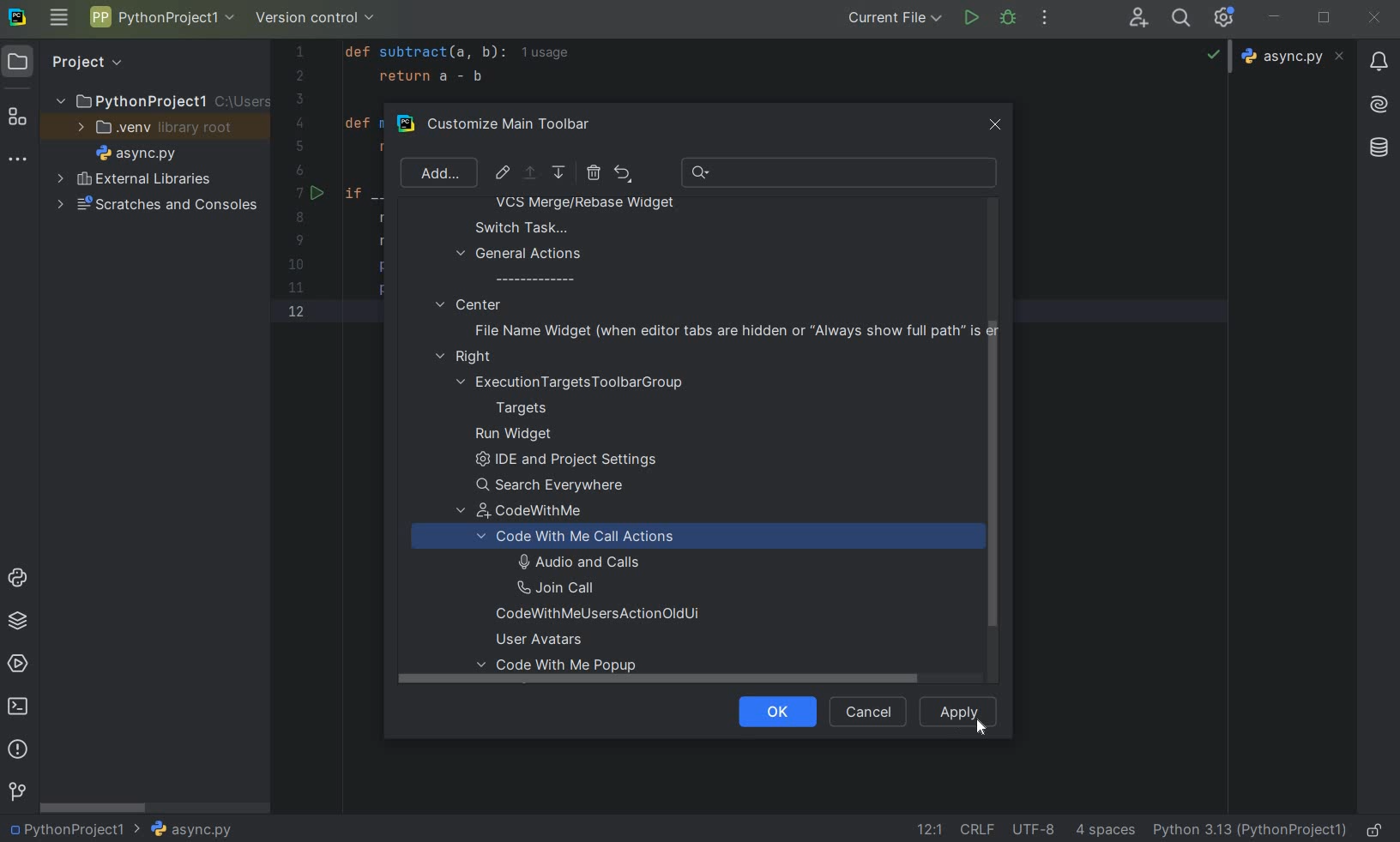 This screenshot has width=1400, height=842. What do you see at coordinates (17, 623) in the screenshot?
I see `PYTHON PACKAGES` at bounding box center [17, 623].